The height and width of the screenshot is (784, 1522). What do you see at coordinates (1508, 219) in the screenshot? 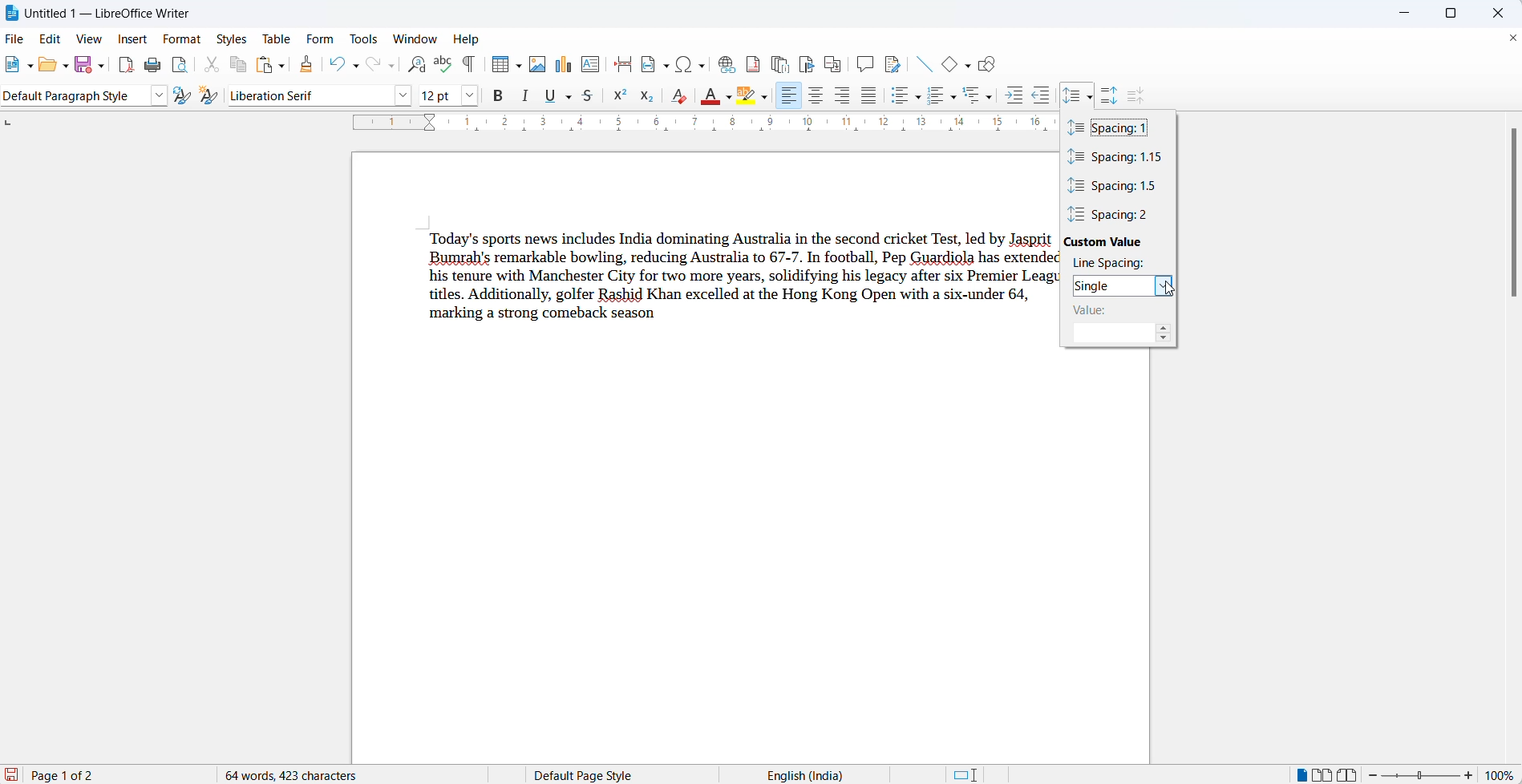
I see `vertical scrollbar` at bounding box center [1508, 219].